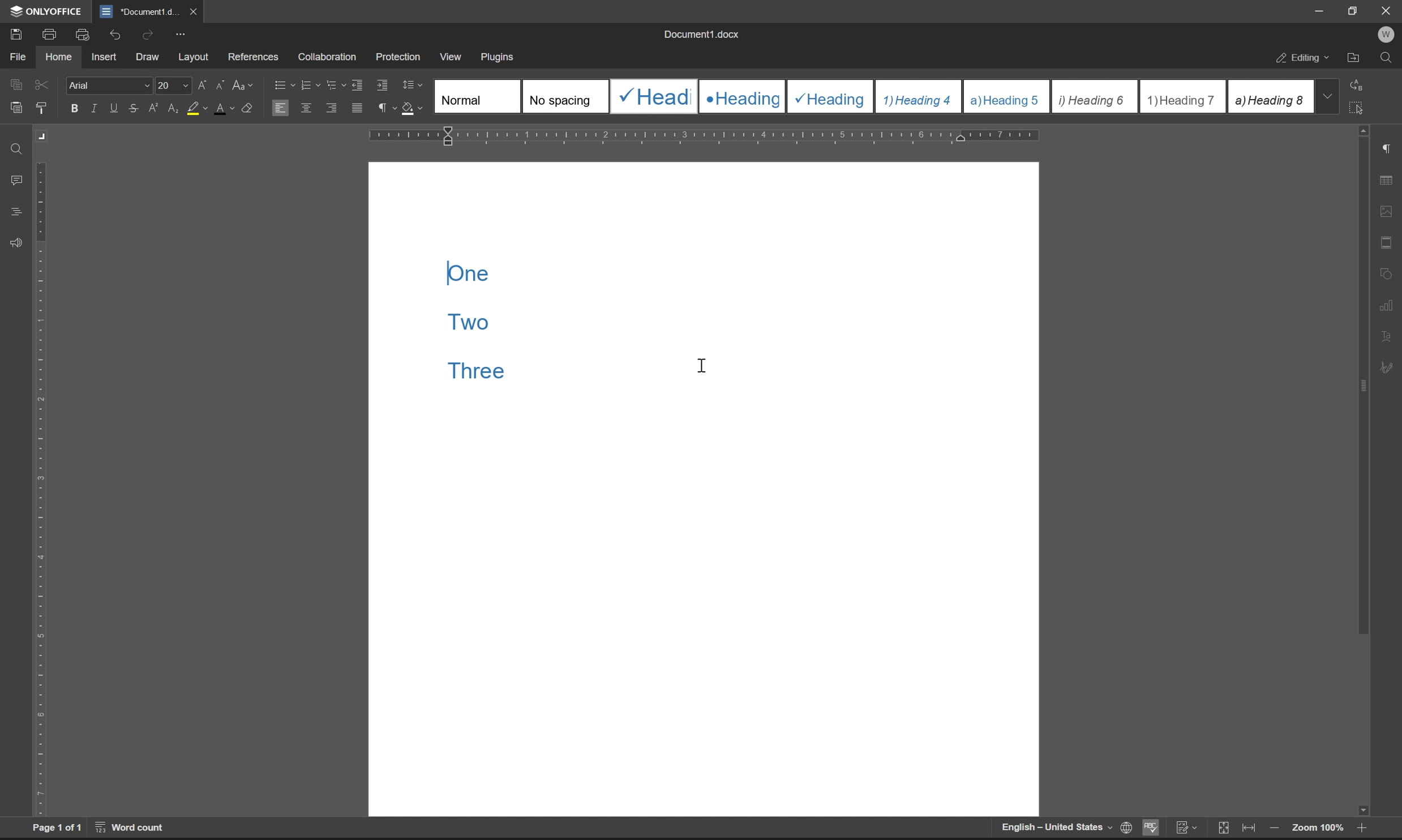 The width and height of the screenshot is (1402, 840). Describe the element at coordinates (1183, 97) in the screenshot. I see `Heading 7` at that location.